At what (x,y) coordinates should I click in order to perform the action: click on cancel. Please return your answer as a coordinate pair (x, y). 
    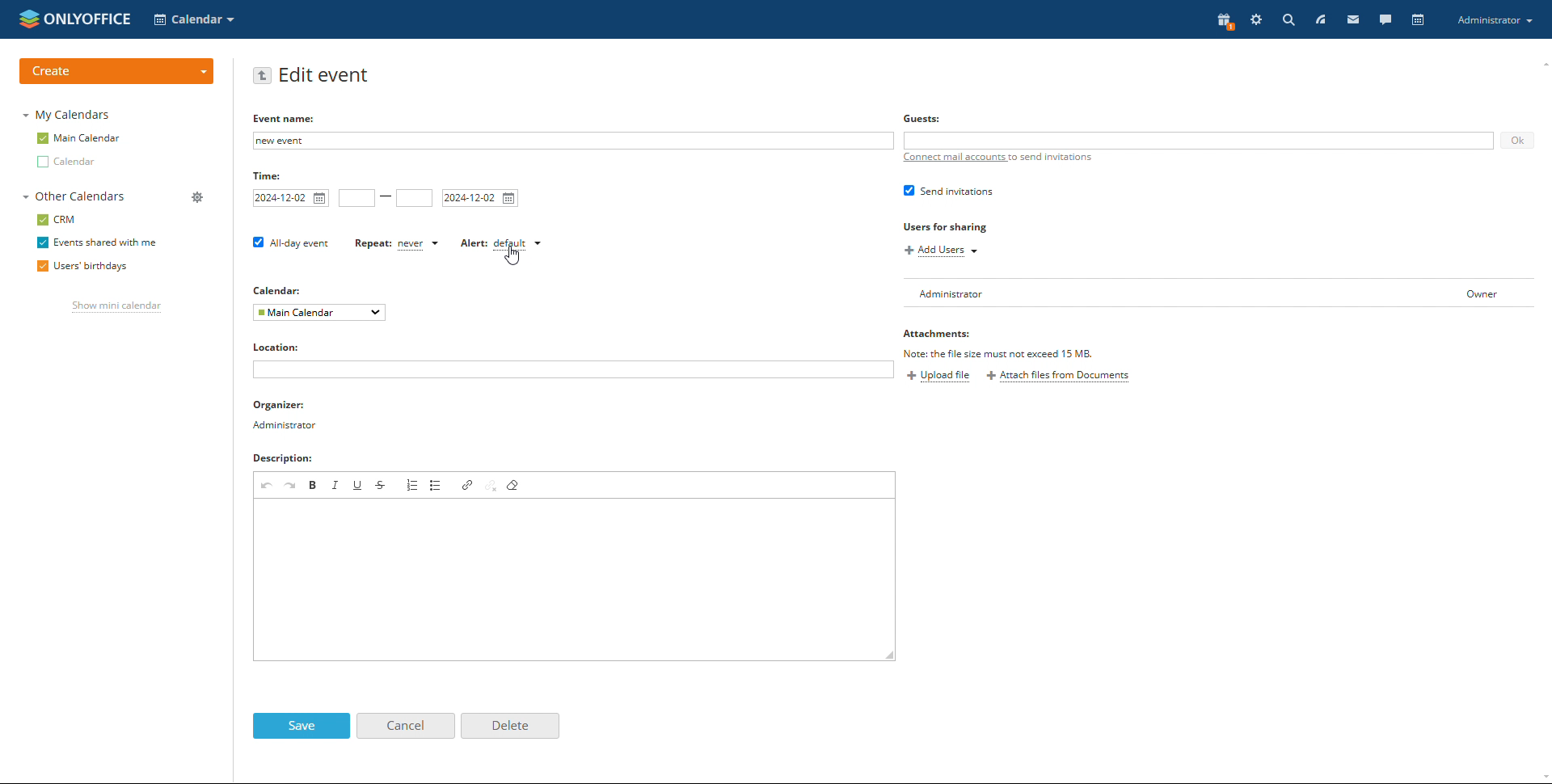
    Looking at the image, I should click on (407, 726).